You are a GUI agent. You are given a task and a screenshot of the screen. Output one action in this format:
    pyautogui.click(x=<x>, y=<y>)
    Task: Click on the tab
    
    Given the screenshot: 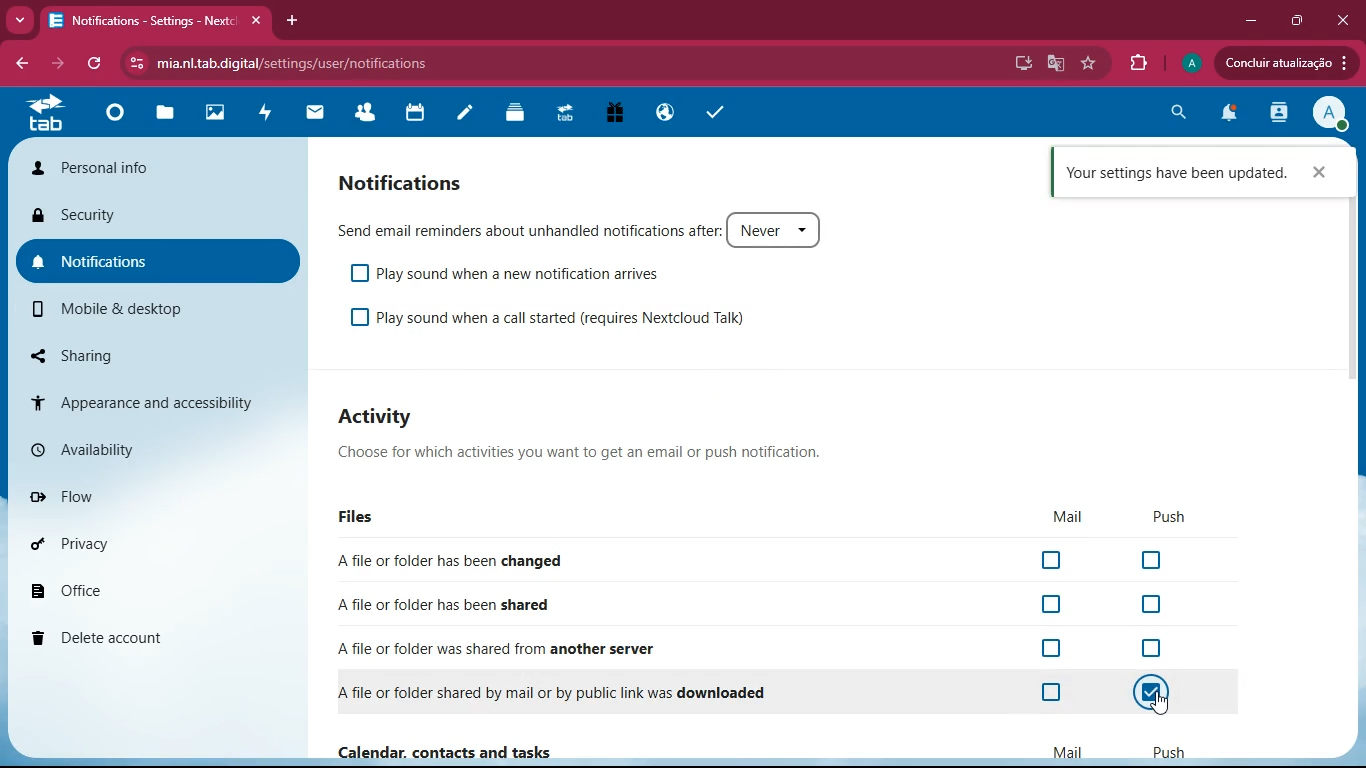 What is the action you would take?
    pyautogui.click(x=561, y=113)
    